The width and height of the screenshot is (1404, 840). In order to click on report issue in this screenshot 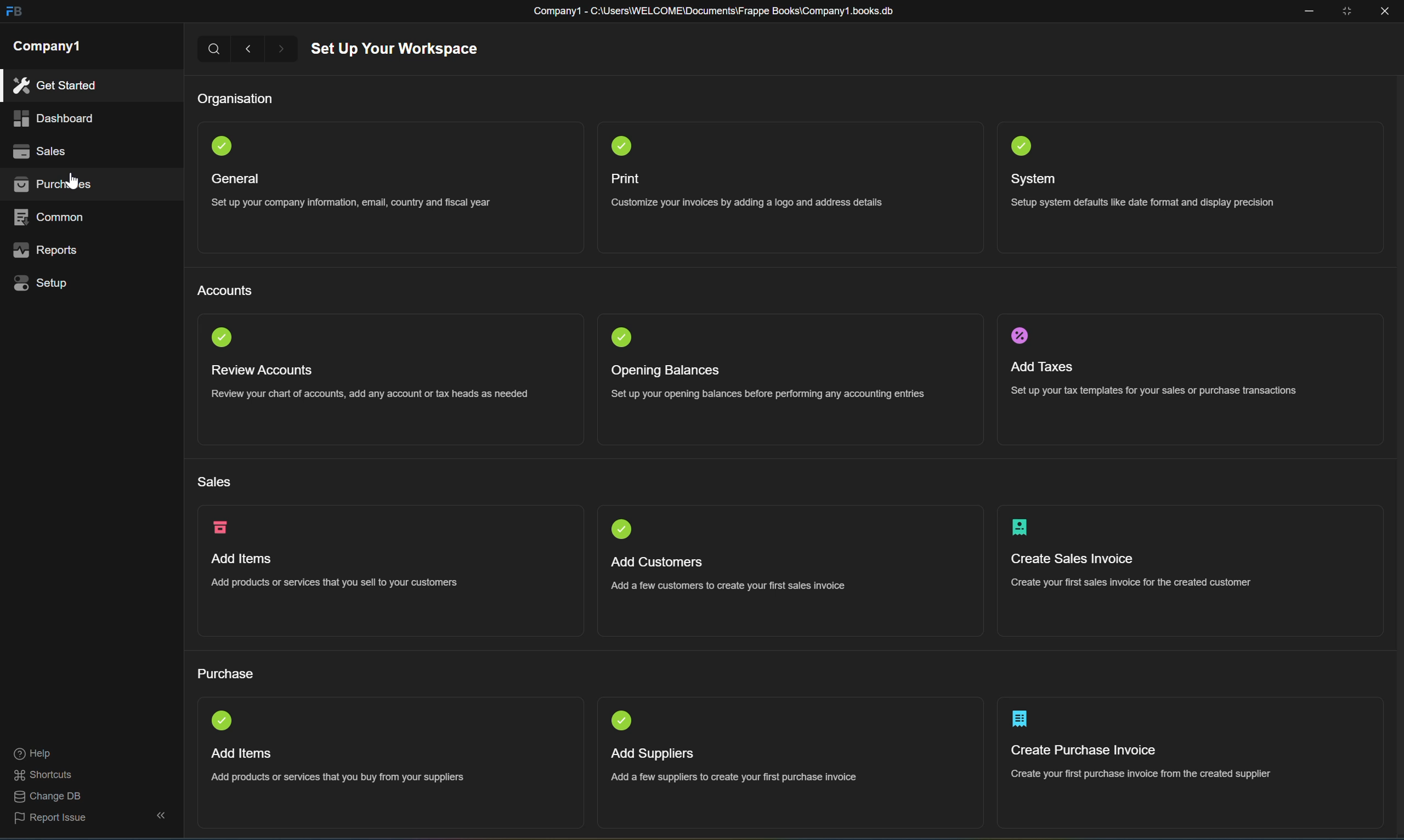, I will do `click(51, 821)`.